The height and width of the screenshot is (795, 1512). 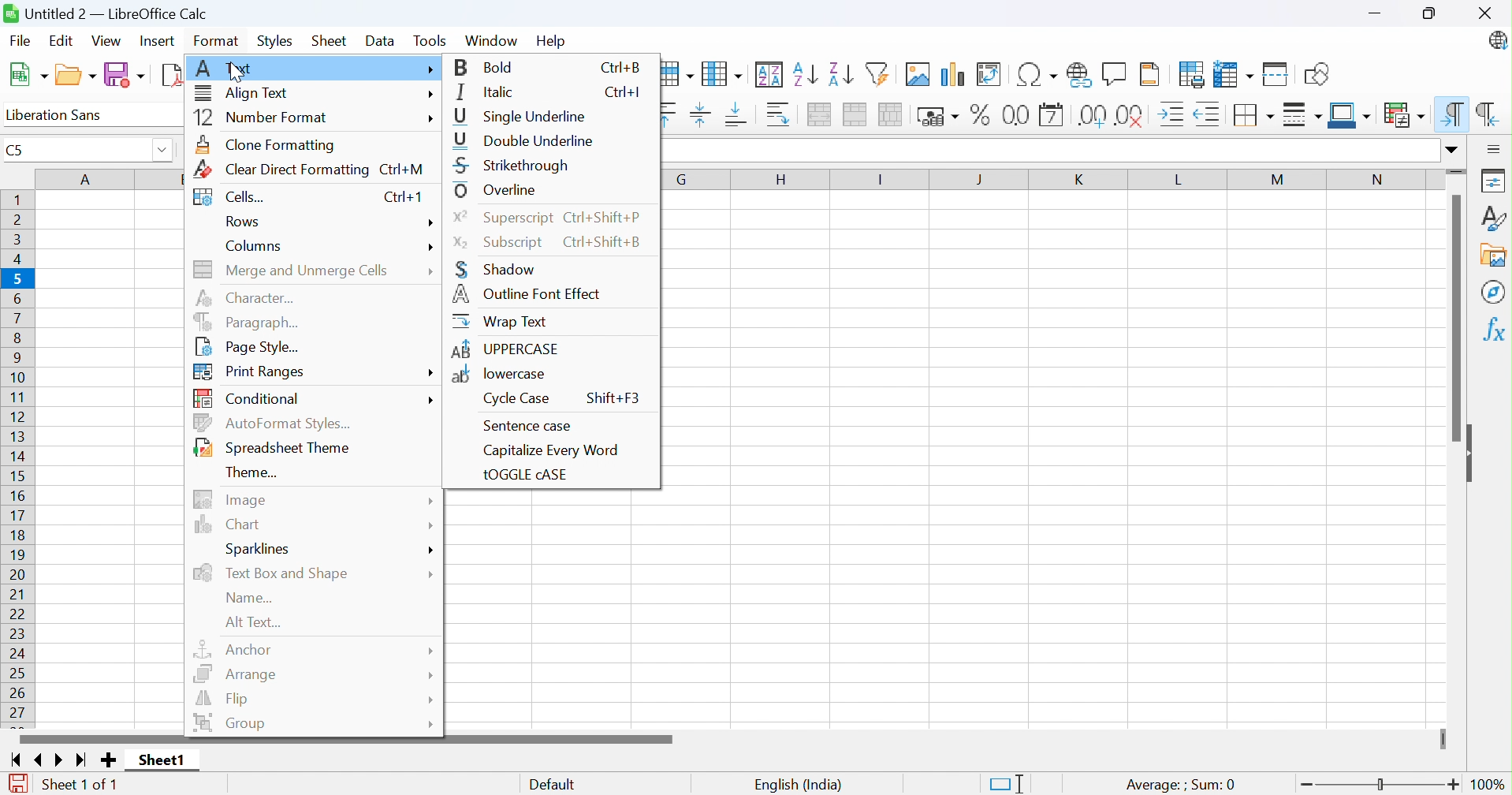 What do you see at coordinates (428, 699) in the screenshot?
I see `More` at bounding box center [428, 699].